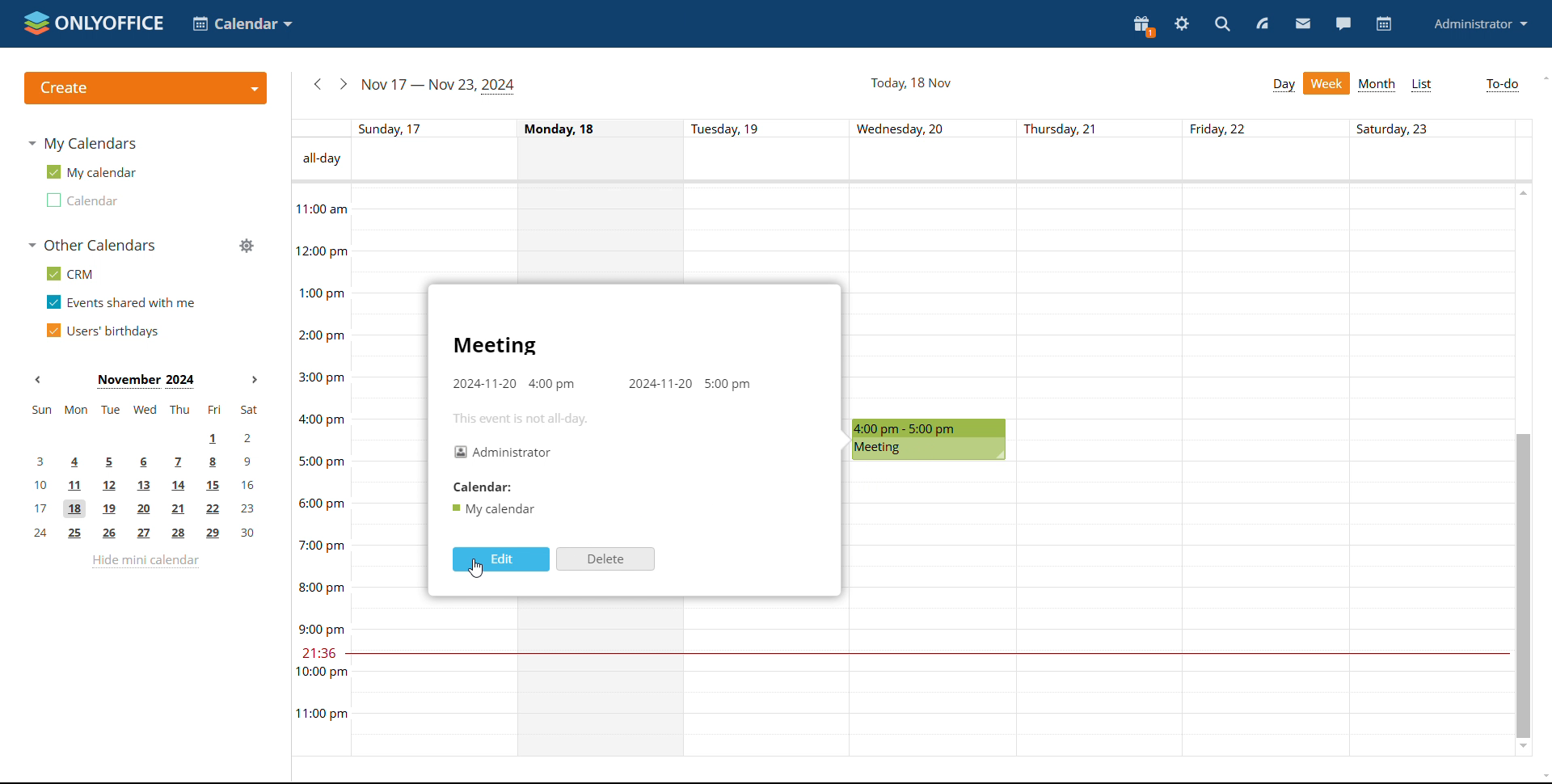 Image resolution: width=1552 pixels, height=784 pixels. What do you see at coordinates (257, 381) in the screenshot?
I see `next month` at bounding box center [257, 381].